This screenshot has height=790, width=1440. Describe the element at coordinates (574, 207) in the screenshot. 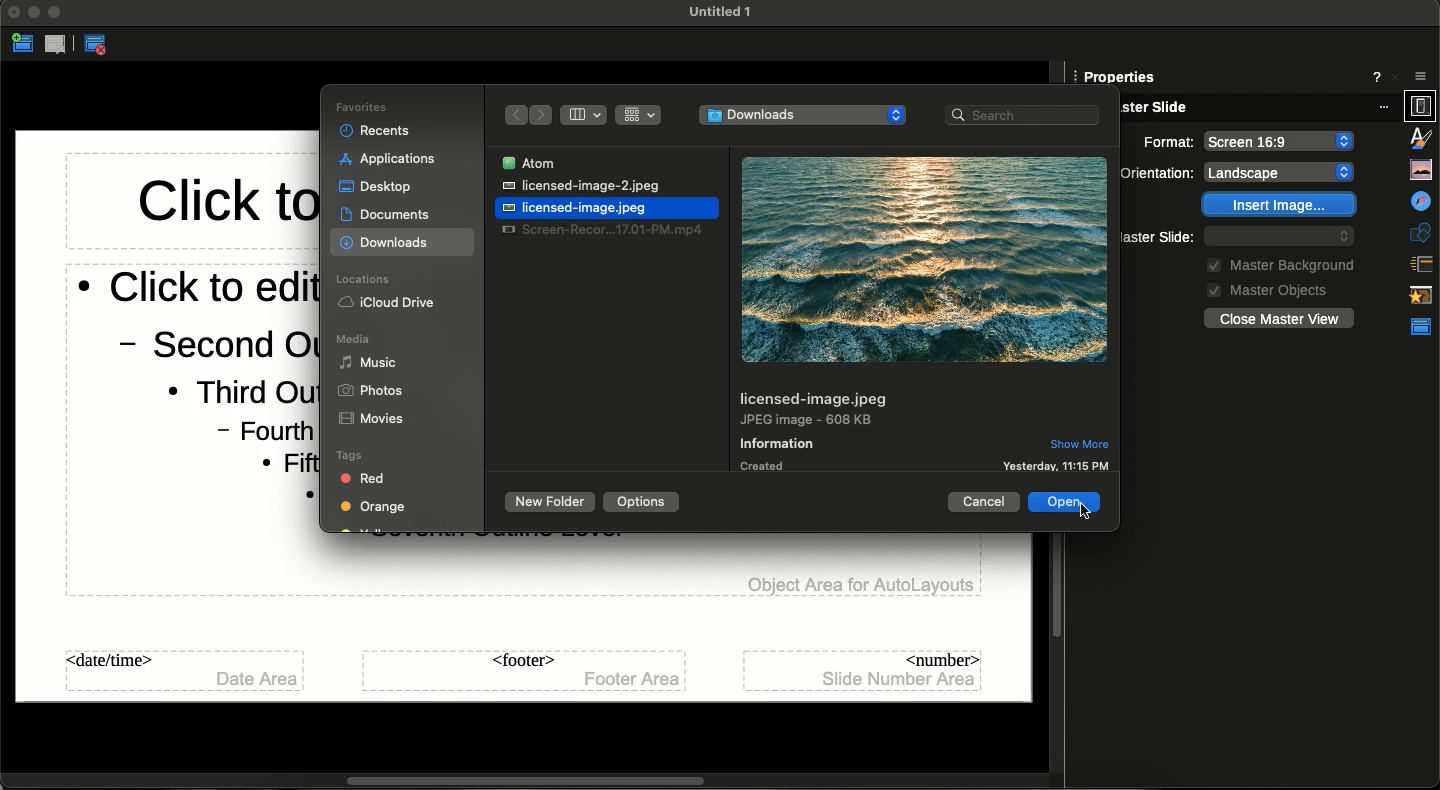

I see `File` at that location.